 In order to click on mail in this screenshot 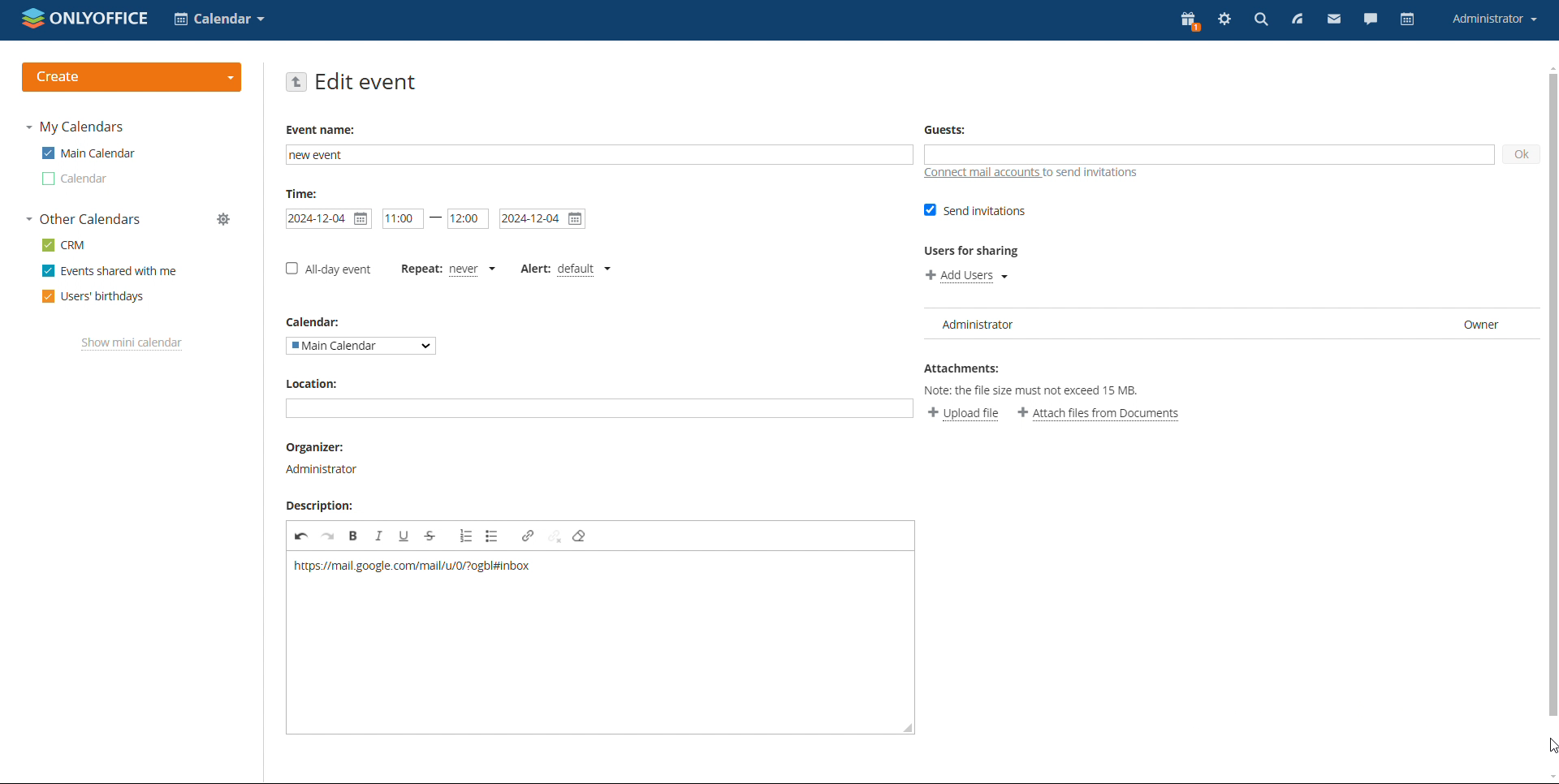, I will do `click(1333, 21)`.